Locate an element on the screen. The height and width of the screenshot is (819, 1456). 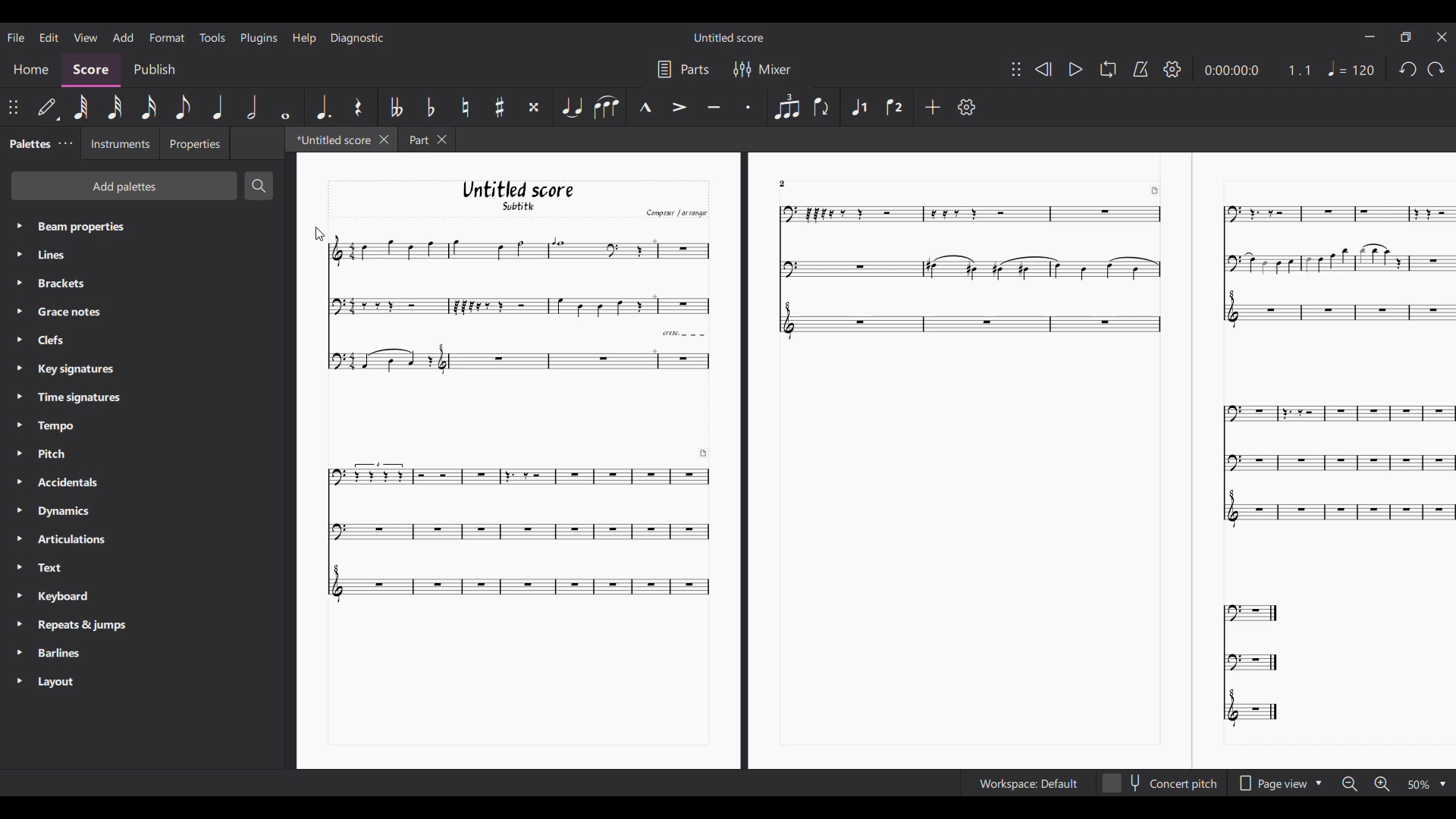
Workspace setting is located at coordinates (1028, 783).